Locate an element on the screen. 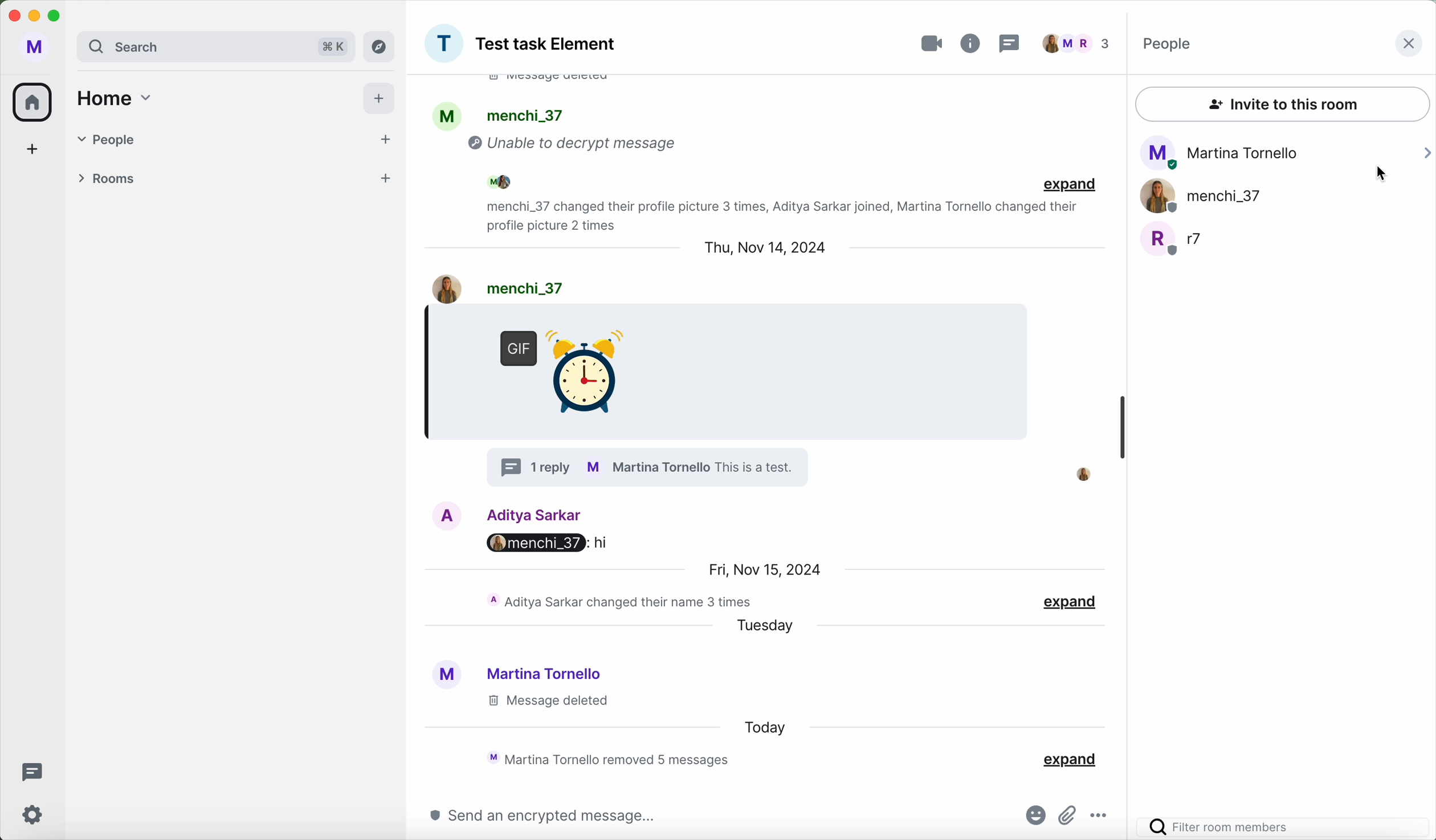 The height and width of the screenshot is (840, 1436). info is located at coordinates (972, 42).